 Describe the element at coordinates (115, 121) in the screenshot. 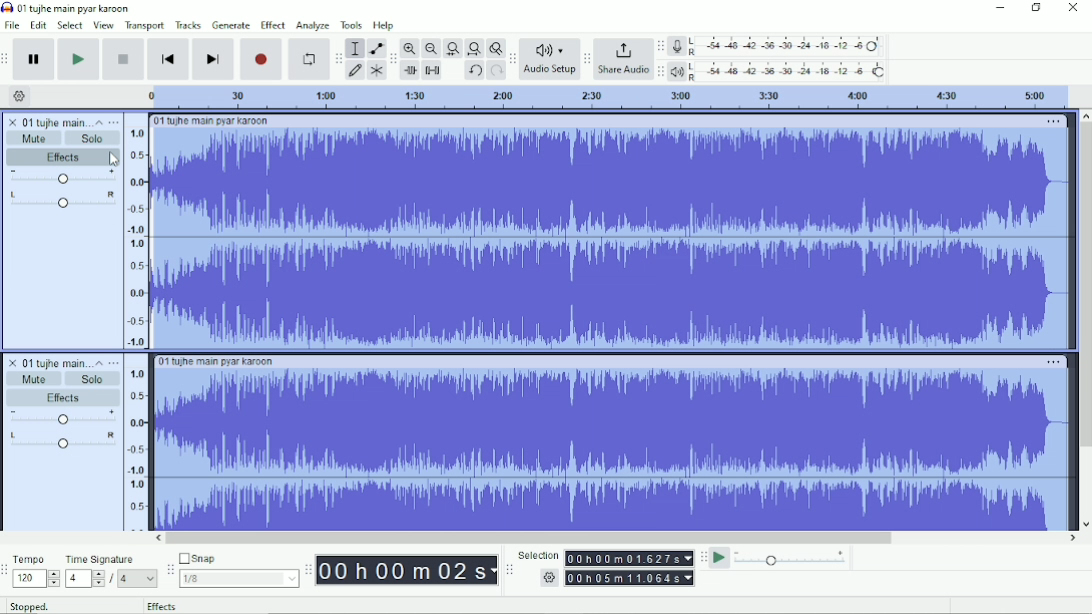

I see `more` at that location.